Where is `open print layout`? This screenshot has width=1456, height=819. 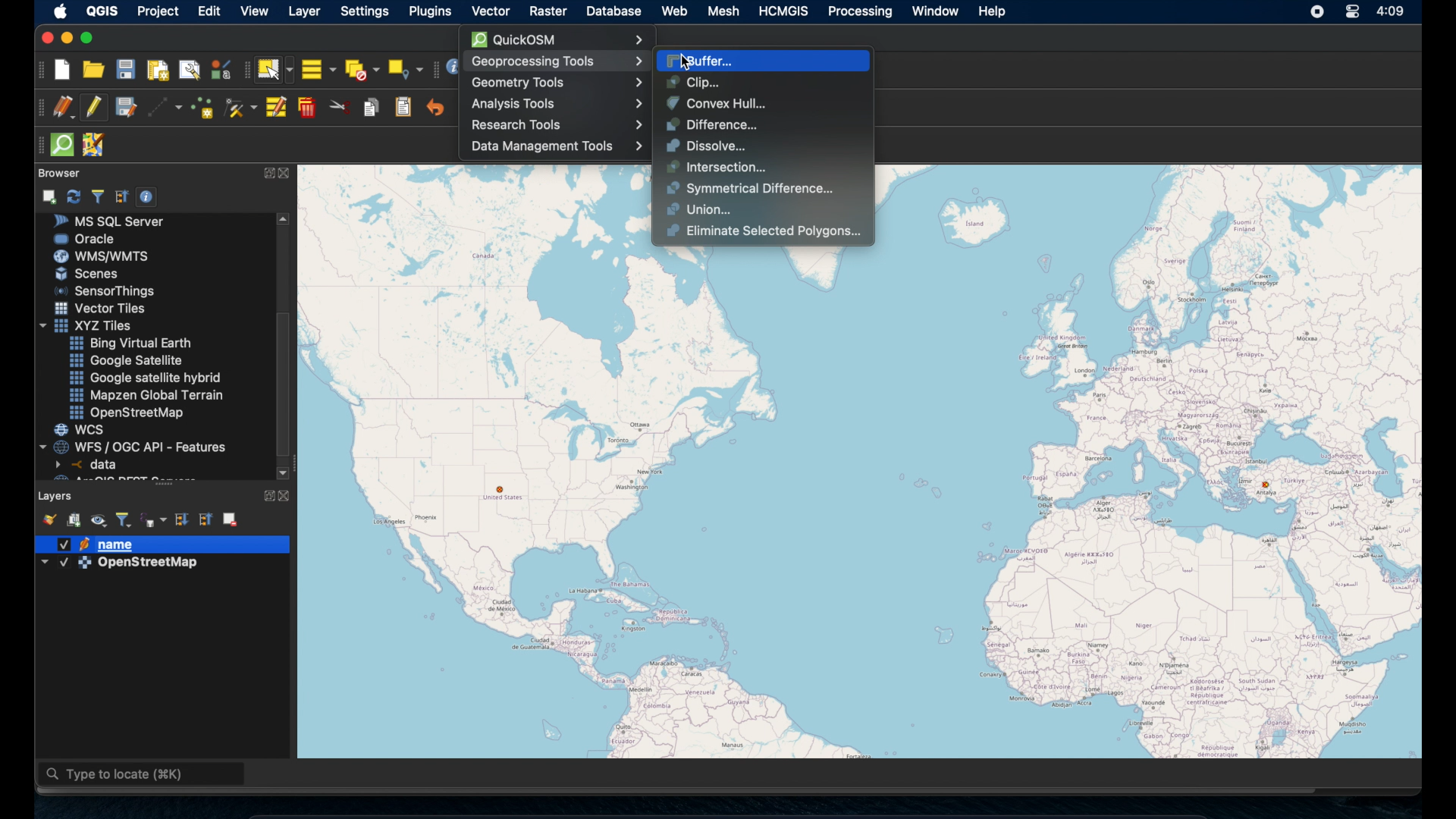 open print layout is located at coordinates (158, 72).